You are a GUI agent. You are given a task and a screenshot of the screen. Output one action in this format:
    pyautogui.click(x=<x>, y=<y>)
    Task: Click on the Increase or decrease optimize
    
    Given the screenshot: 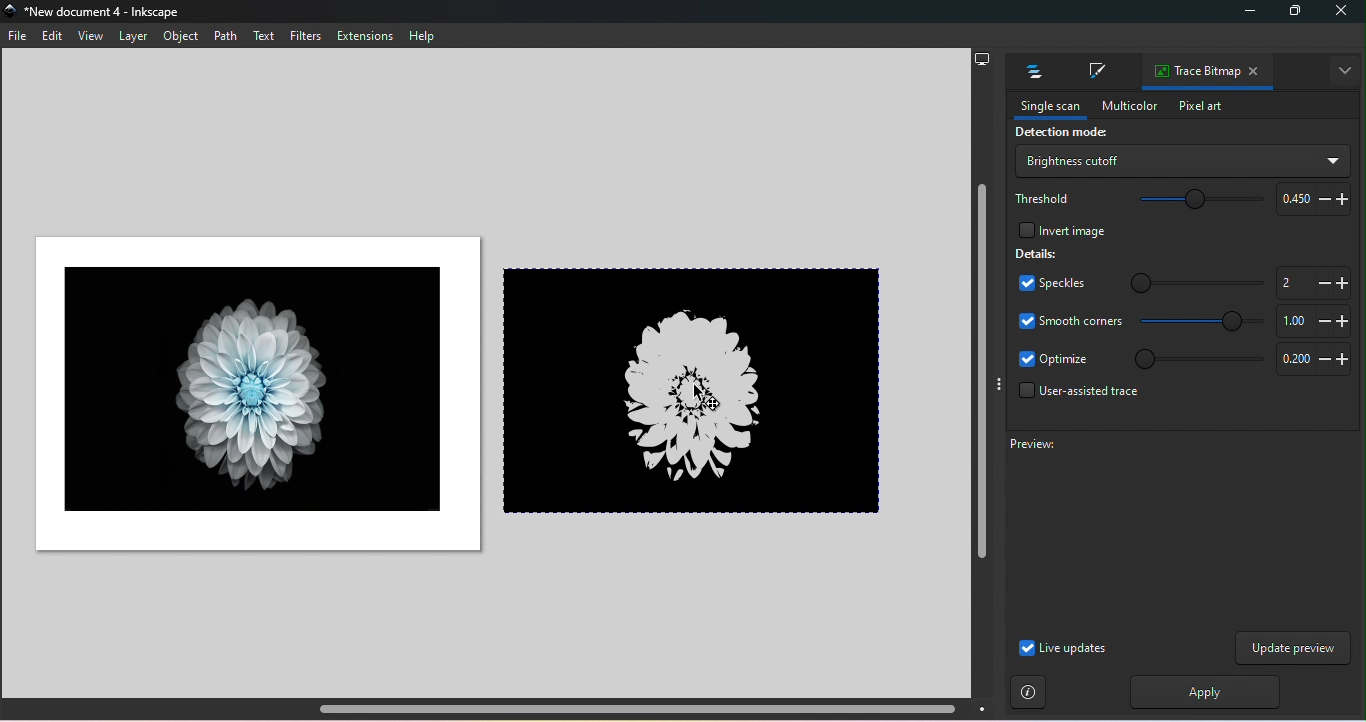 What is the action you would take?
    pyautogui.click(x=1310, y=361)
    